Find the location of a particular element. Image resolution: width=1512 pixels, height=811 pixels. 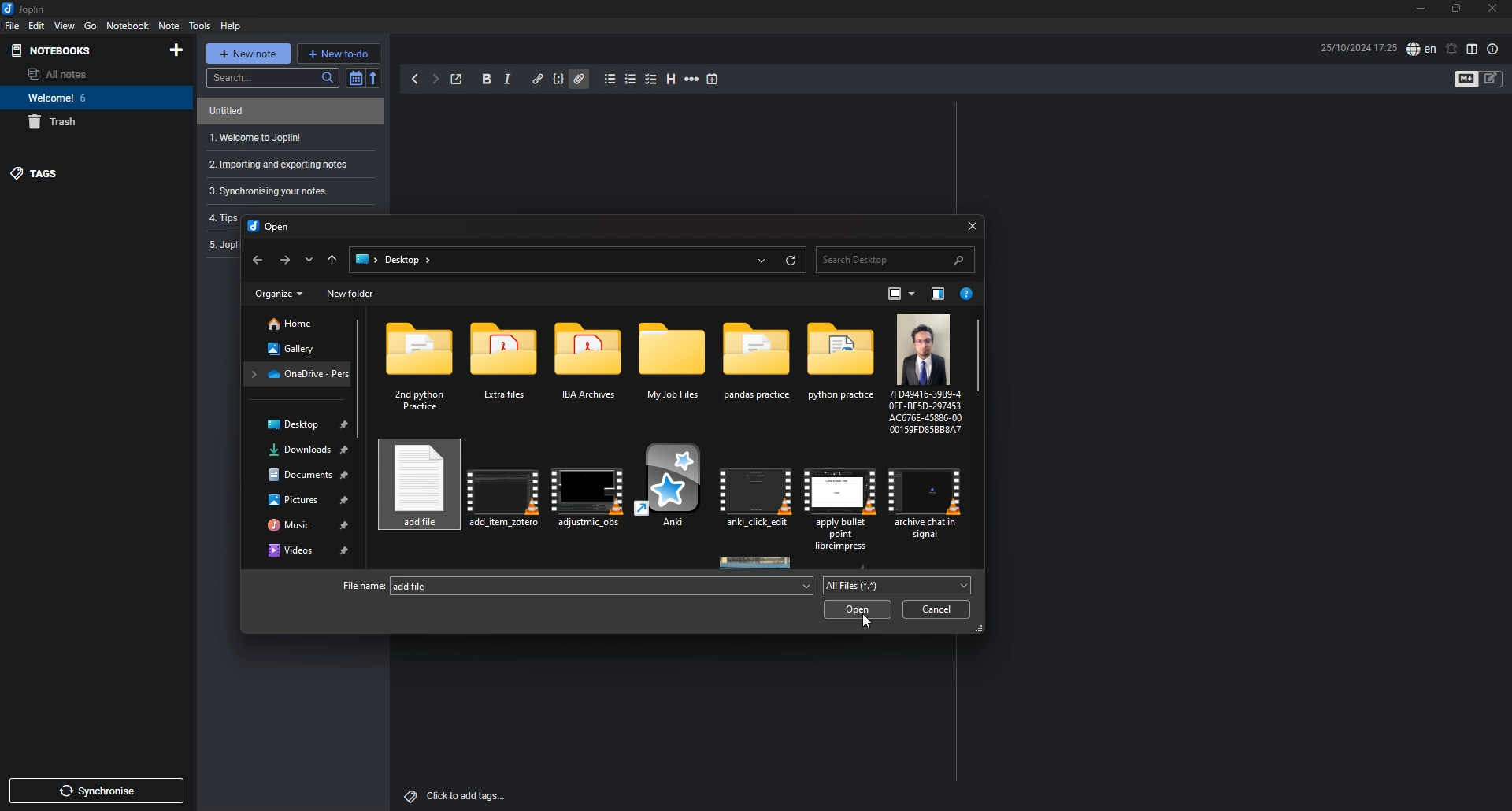

joplin is located at coordinates (24, 8).